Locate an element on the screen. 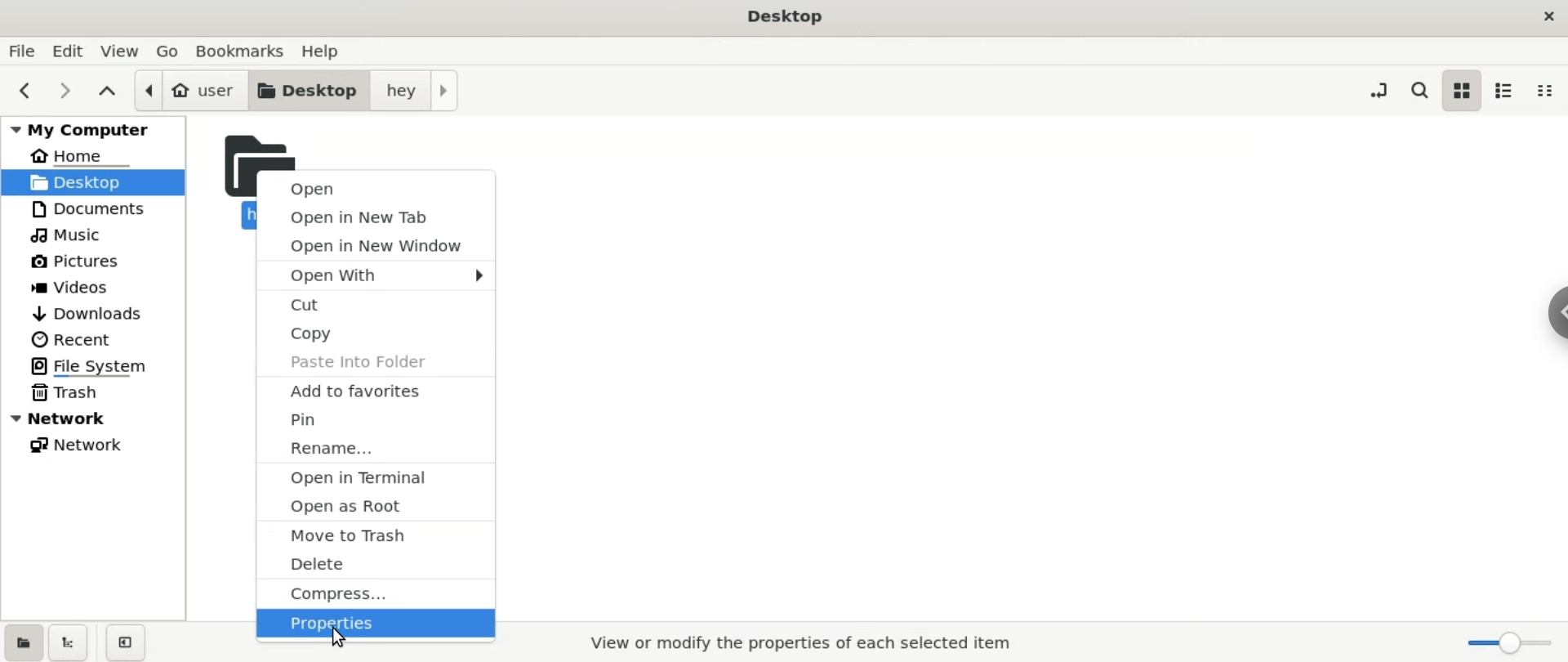 The image size is (1568, 662). zoom is located at coordinates (1514, 642).